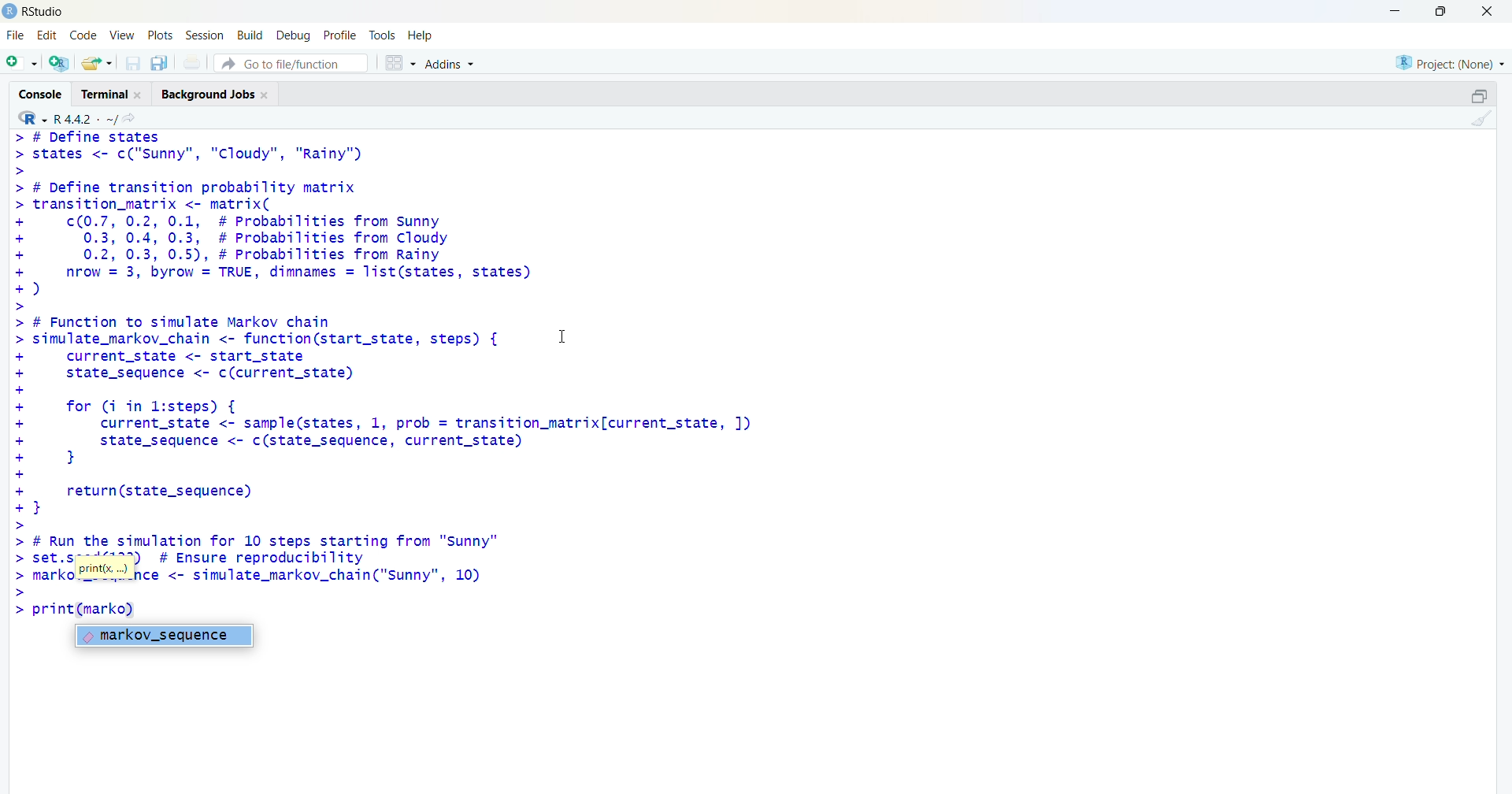 The image size is (1512, 794). What do you see at coordinates (1482, 119) in the screenshot?
I see `clear console` at bounding box center [1482, 119].